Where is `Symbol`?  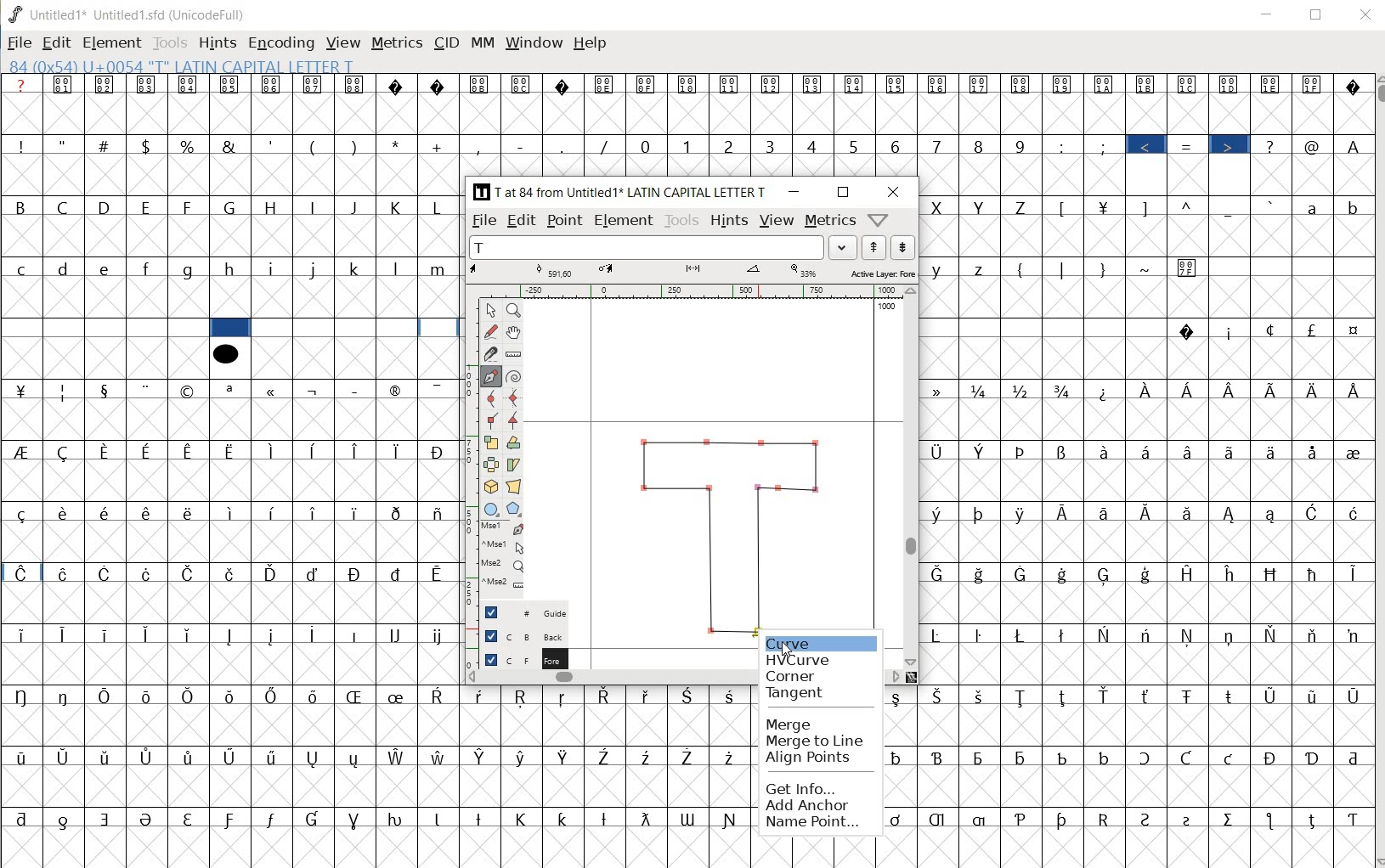
Symbol is located at coordinates (108, 633).